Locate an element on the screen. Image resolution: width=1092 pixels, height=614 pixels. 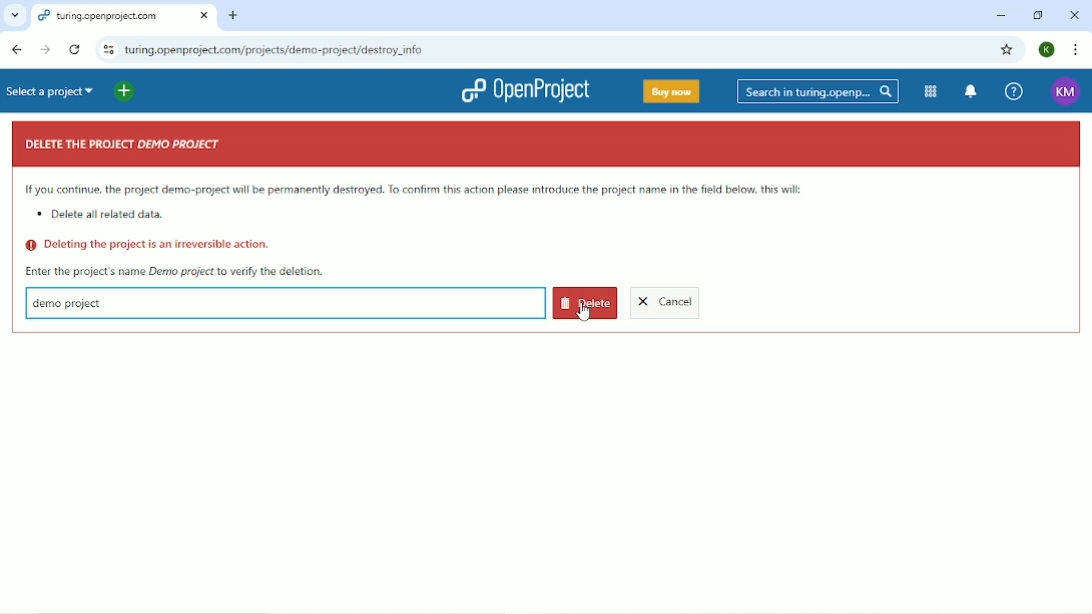
Cancel is located at coordinates (666, 304).